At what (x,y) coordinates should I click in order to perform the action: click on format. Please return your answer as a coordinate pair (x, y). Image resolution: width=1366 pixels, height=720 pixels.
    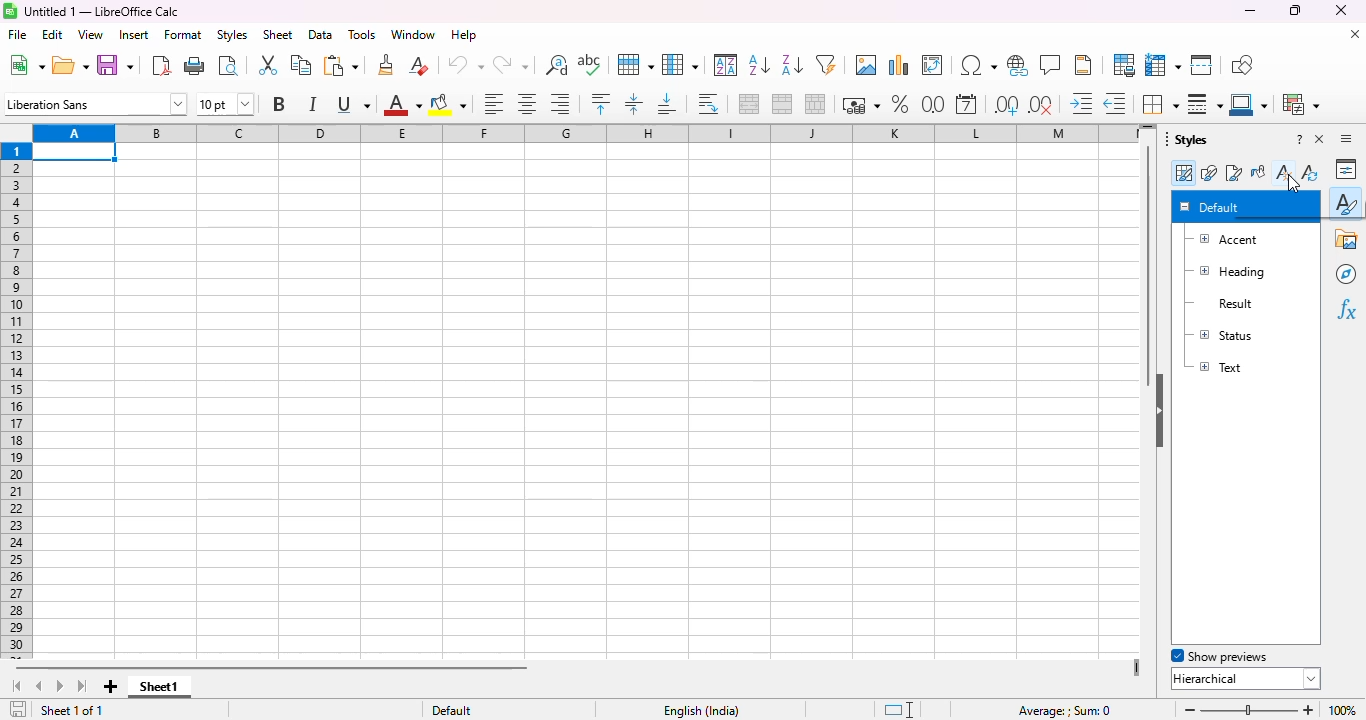
    Looking at the image, I should click on (184, 35).